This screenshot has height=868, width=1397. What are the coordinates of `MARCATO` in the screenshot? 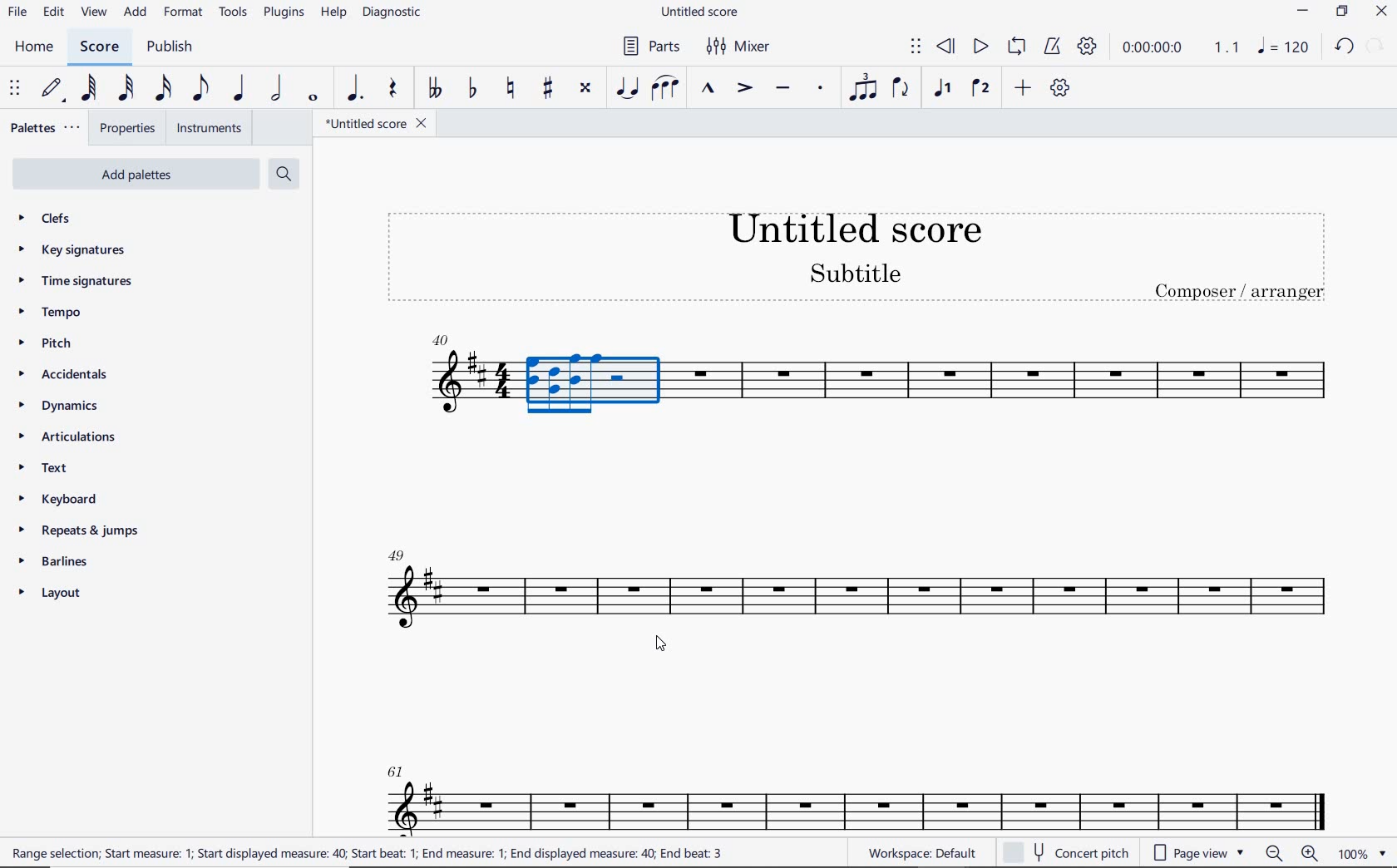 It's located at (706, 90).